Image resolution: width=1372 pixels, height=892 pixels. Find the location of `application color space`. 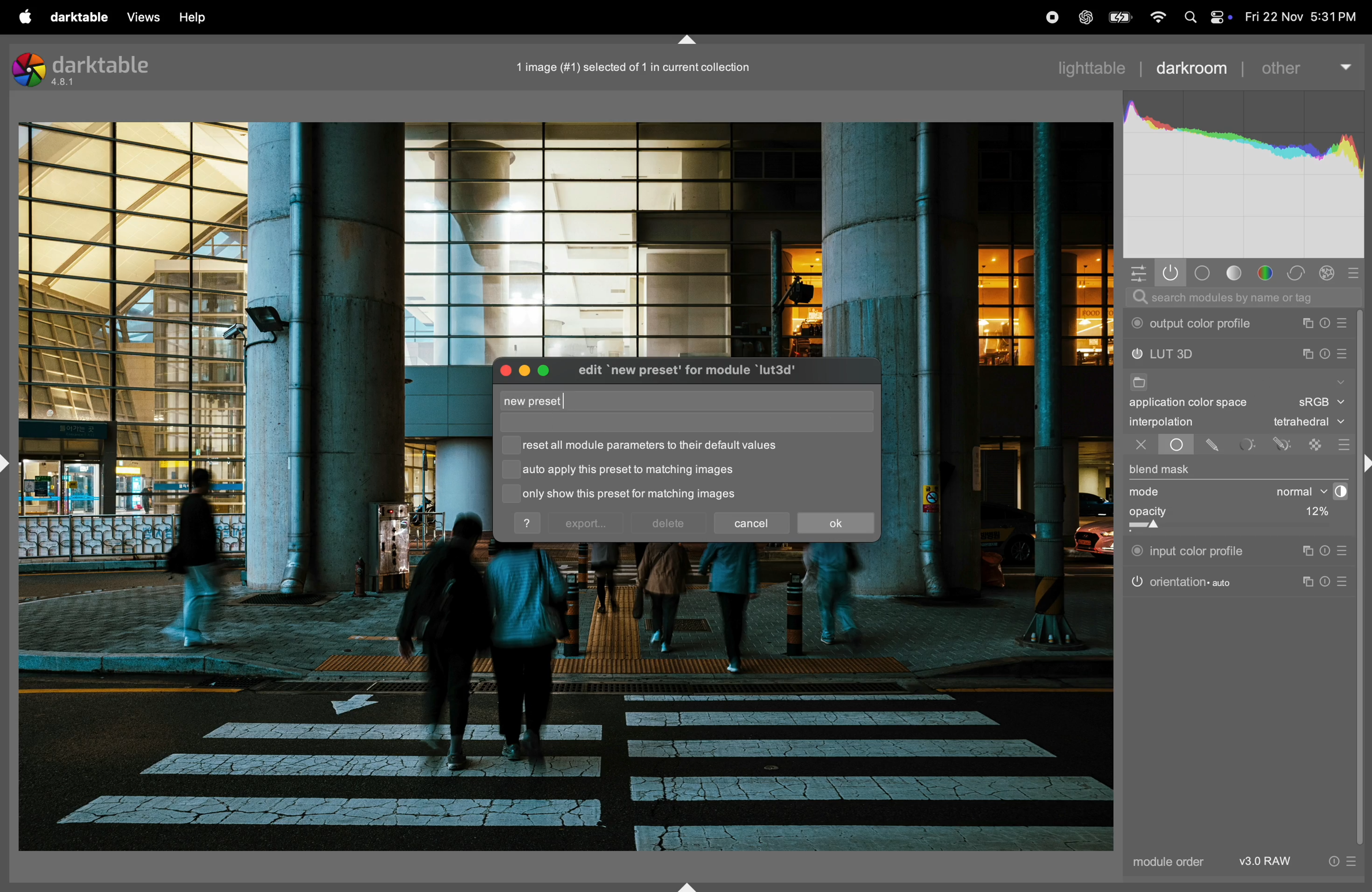

application color space is located at coordinates (1198, 405).